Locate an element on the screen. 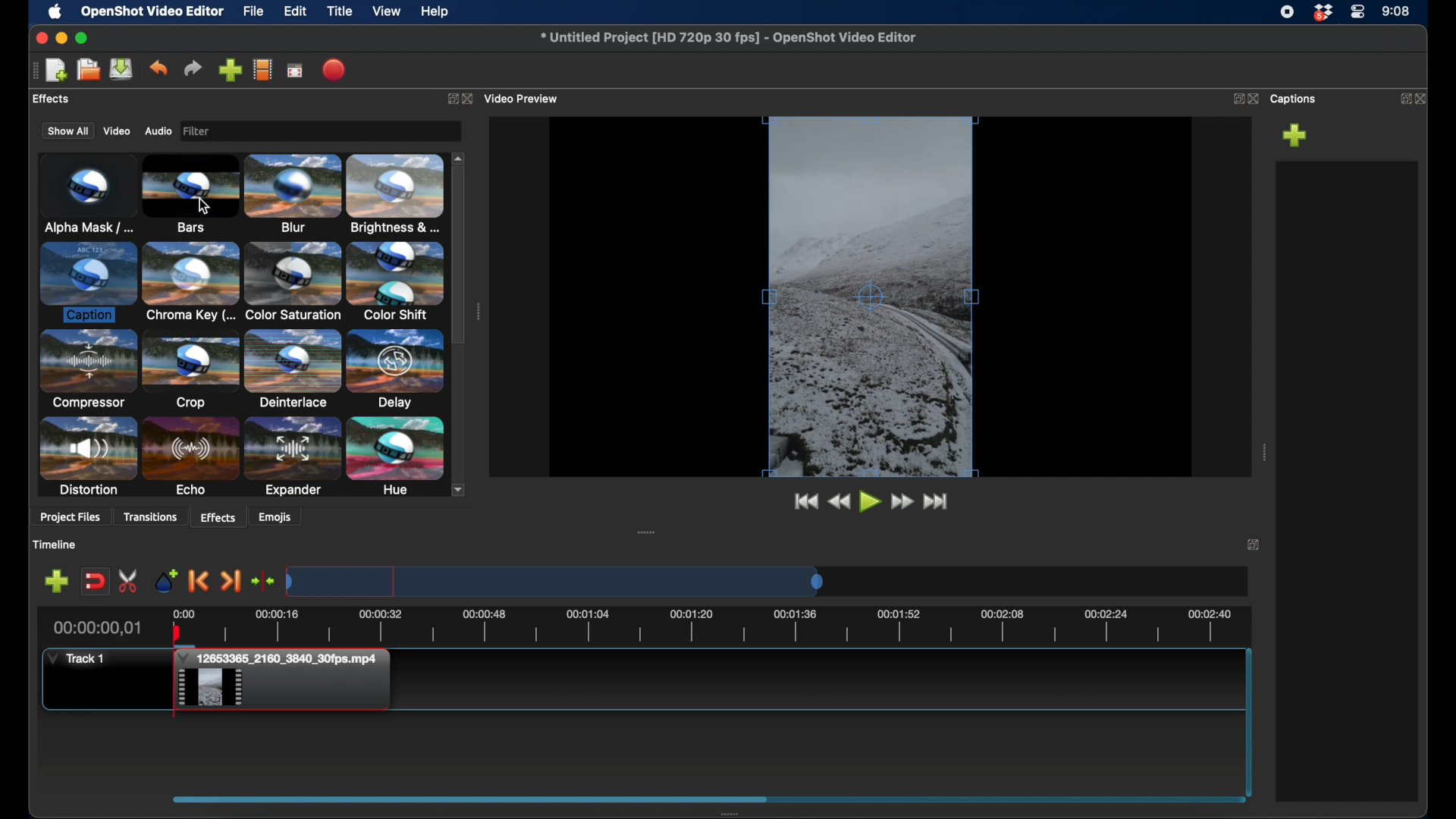 This screenshot has height=819, width=1456. delay is located at coordinates (394, 369).